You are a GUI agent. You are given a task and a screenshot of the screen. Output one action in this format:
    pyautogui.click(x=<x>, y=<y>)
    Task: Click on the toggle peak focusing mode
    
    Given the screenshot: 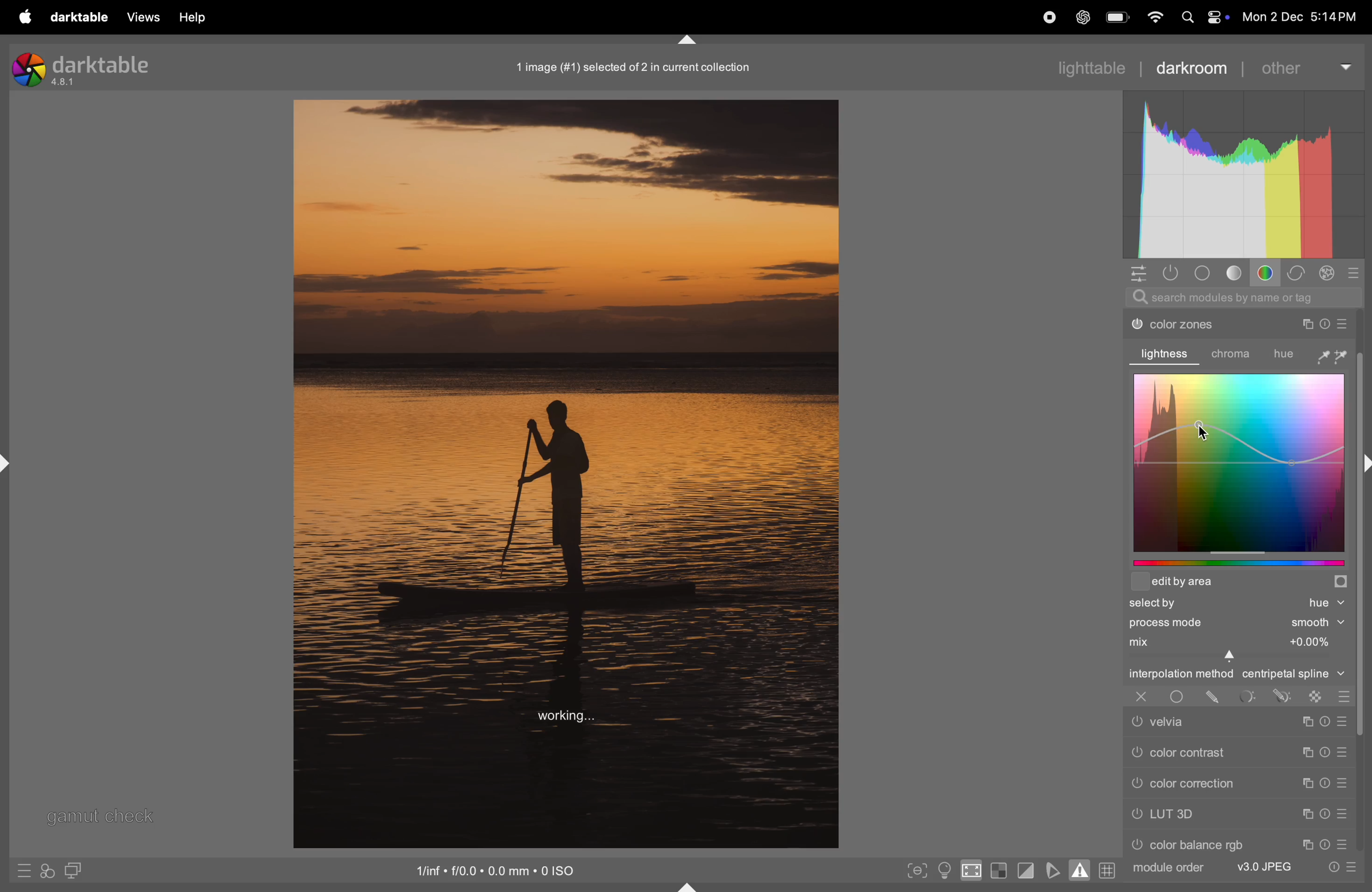 What is the action you would take?
    pyautogui.click(x=915, y=870)
    